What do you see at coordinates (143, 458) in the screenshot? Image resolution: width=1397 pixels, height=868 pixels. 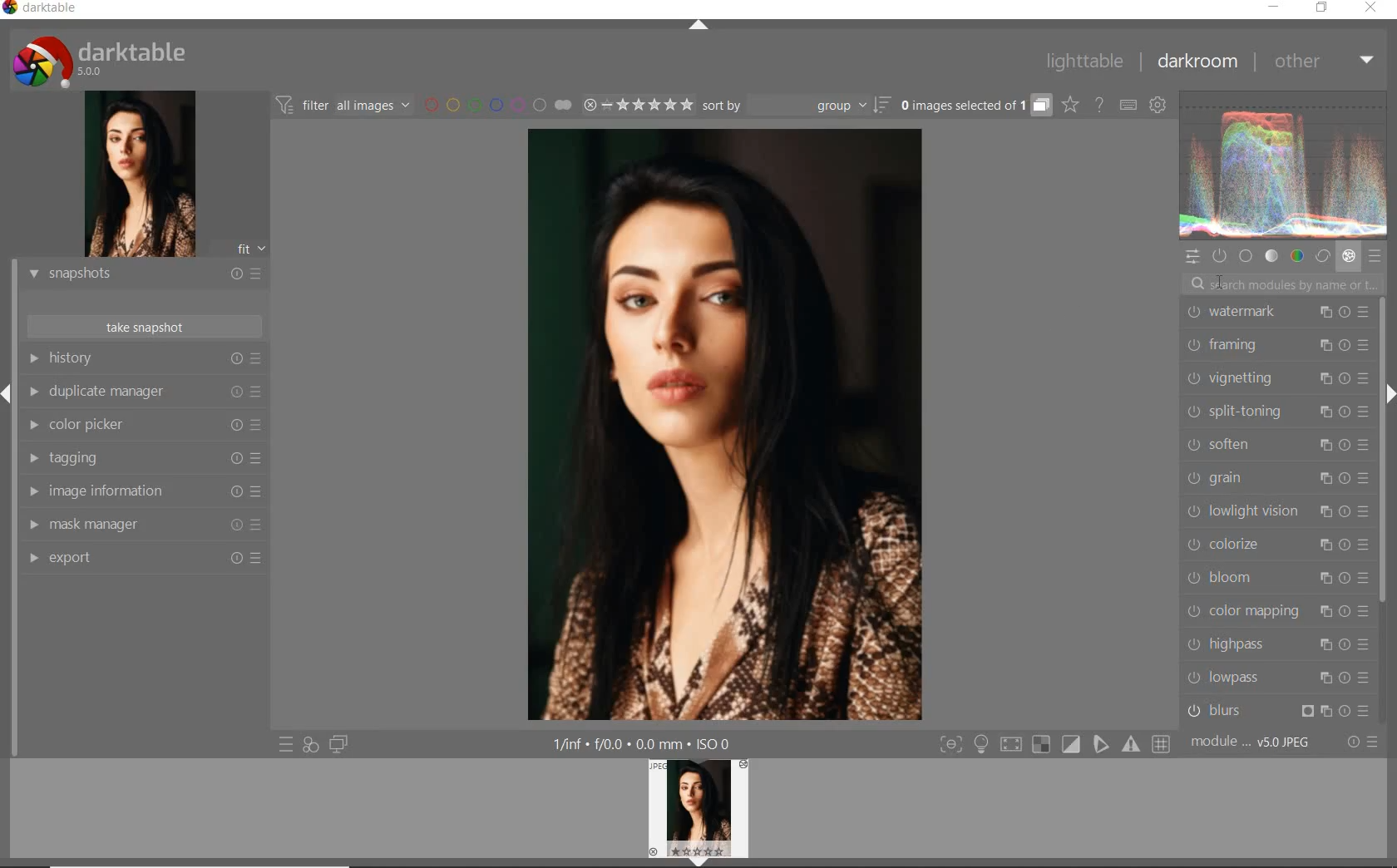 I see `tagging` at bounding box center [143, 458].